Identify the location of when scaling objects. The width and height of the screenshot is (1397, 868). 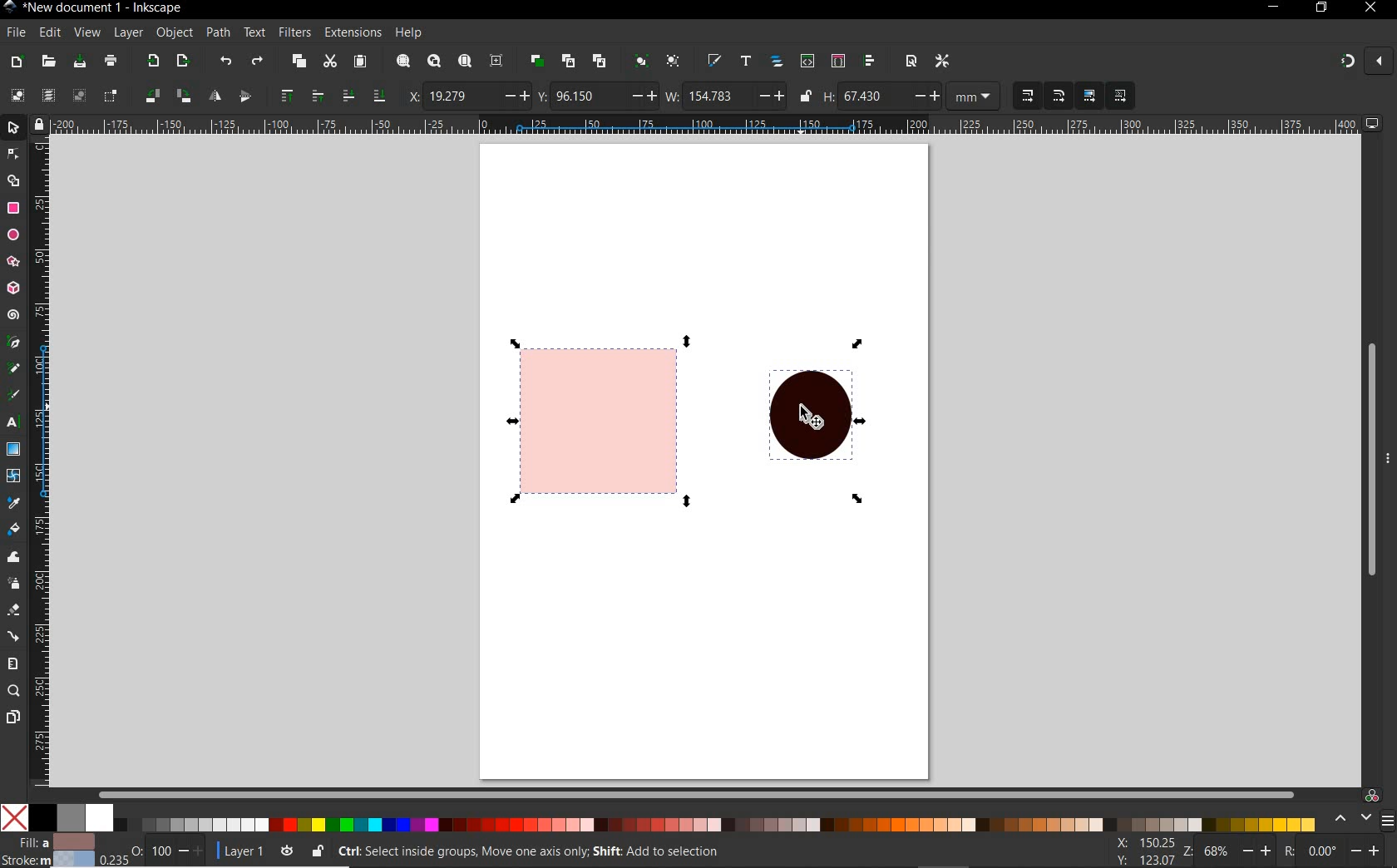
(1027, 96).